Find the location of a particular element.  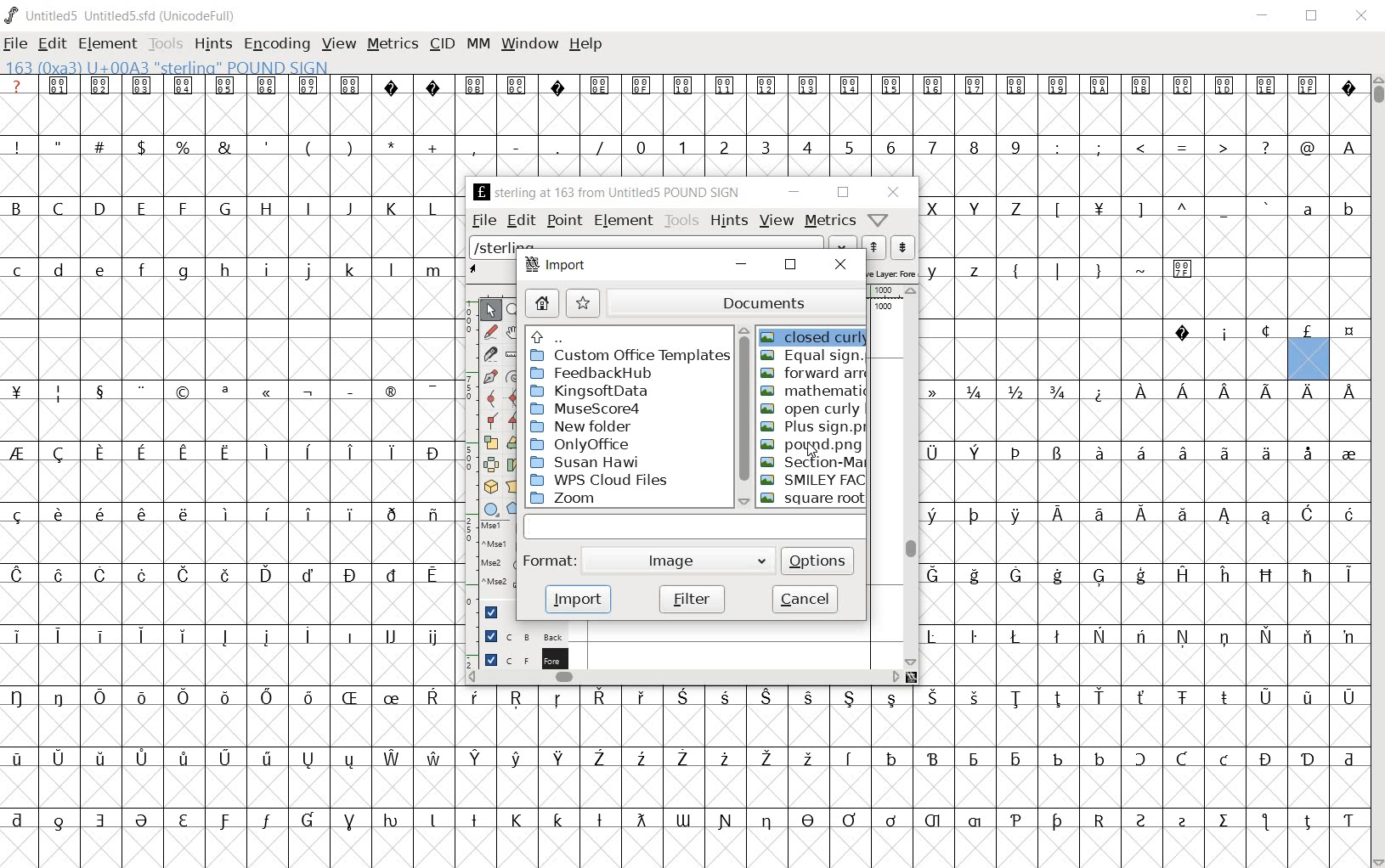

Symbol is located at coordinates (225, 514).